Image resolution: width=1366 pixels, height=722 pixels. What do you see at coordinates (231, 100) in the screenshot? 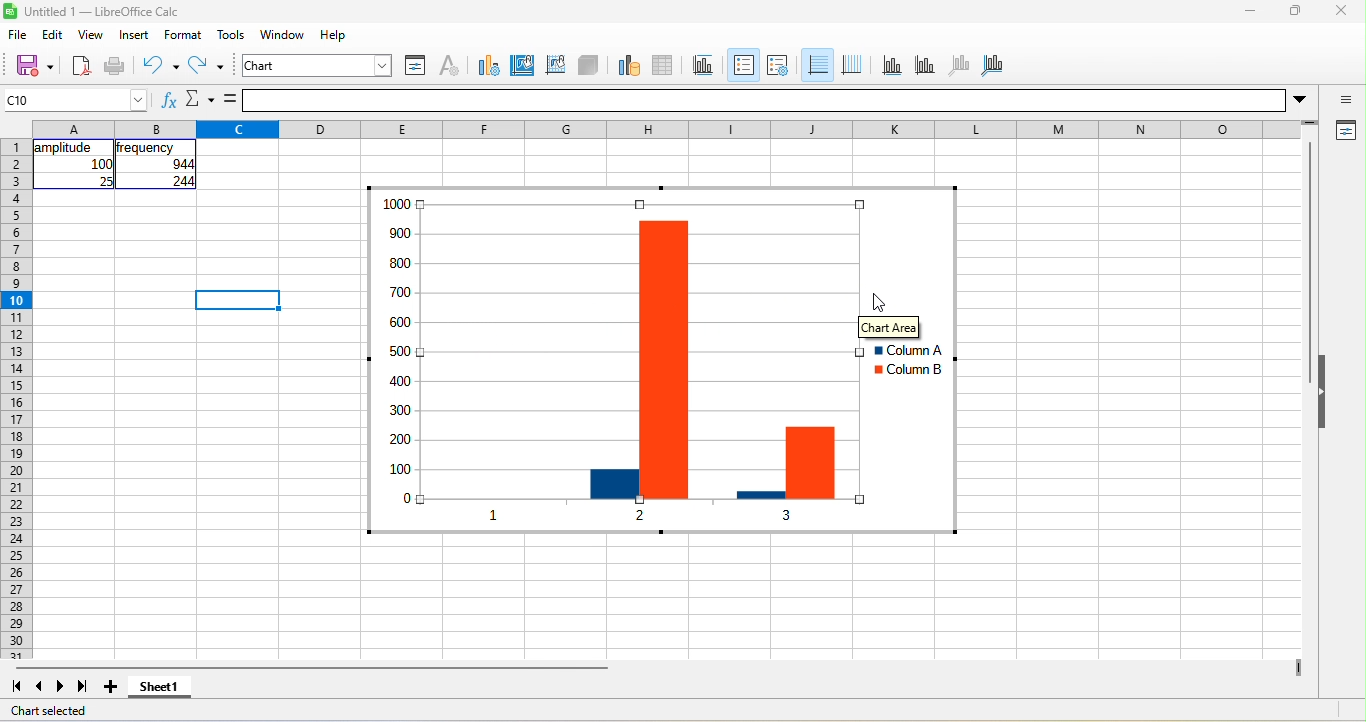
I see `formula` at bounding box center [231, 100].